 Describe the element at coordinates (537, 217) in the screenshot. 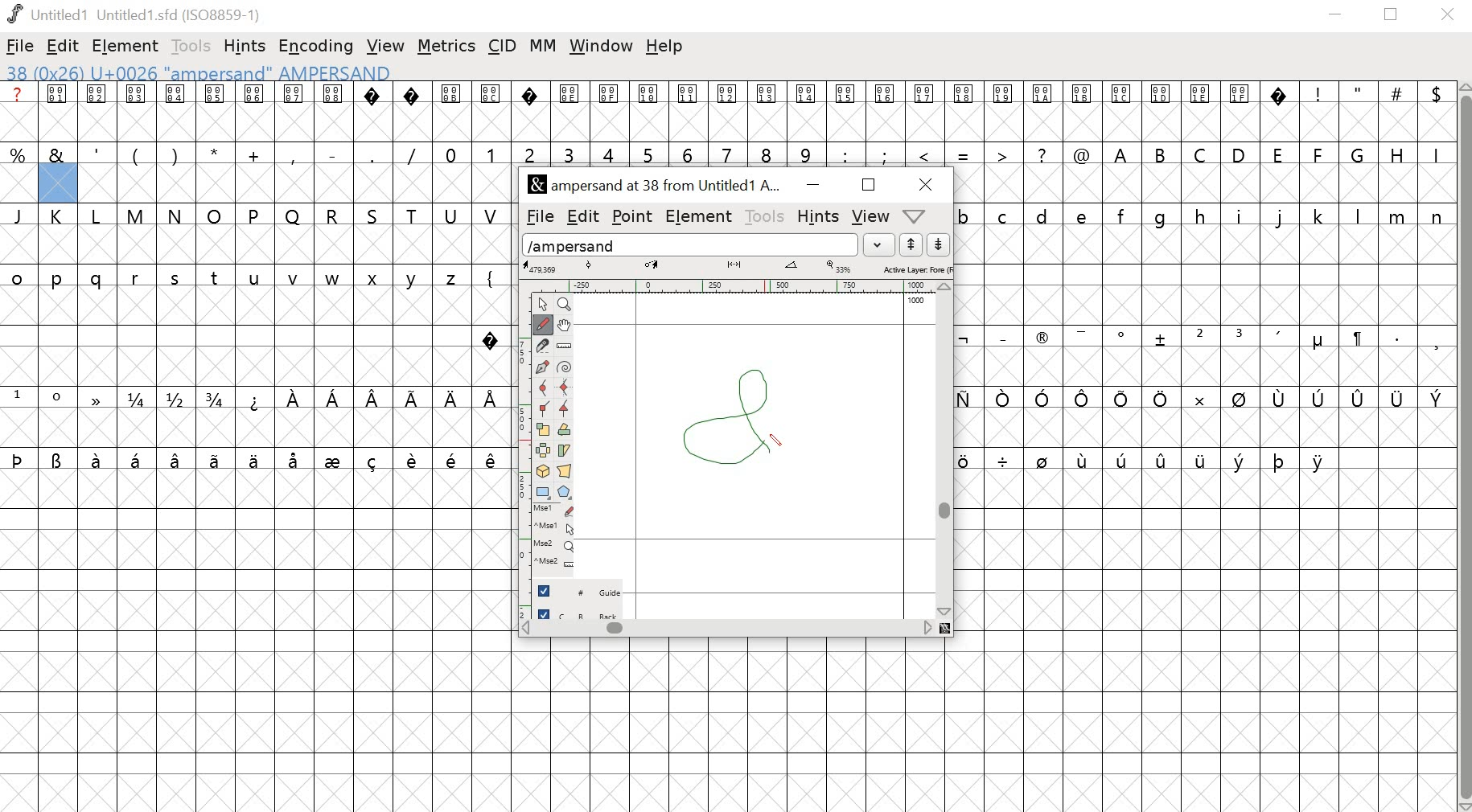

I see `file` at that location.